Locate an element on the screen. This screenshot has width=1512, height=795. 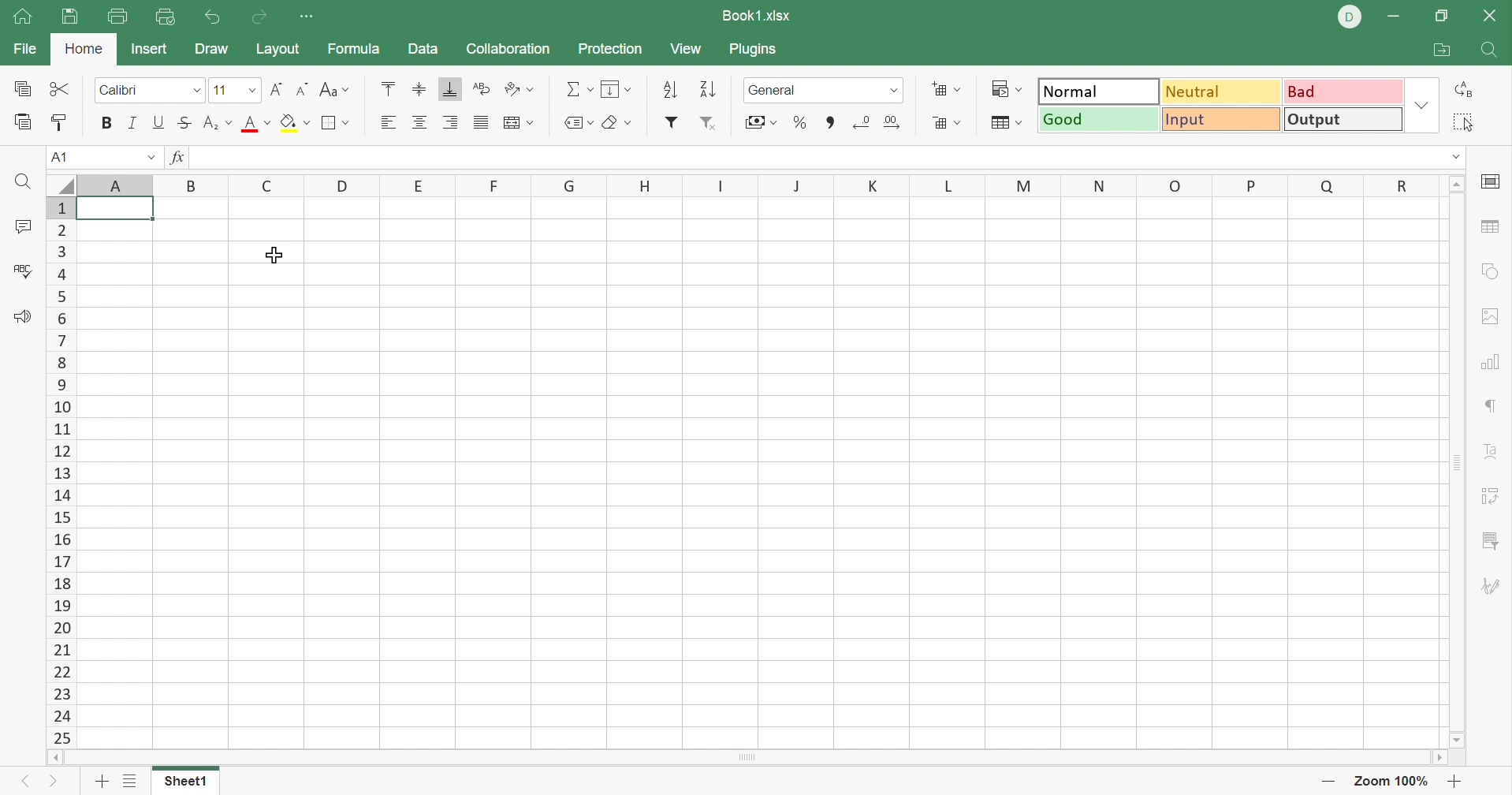
Text Art settings is located at coordinates (1494, 453).